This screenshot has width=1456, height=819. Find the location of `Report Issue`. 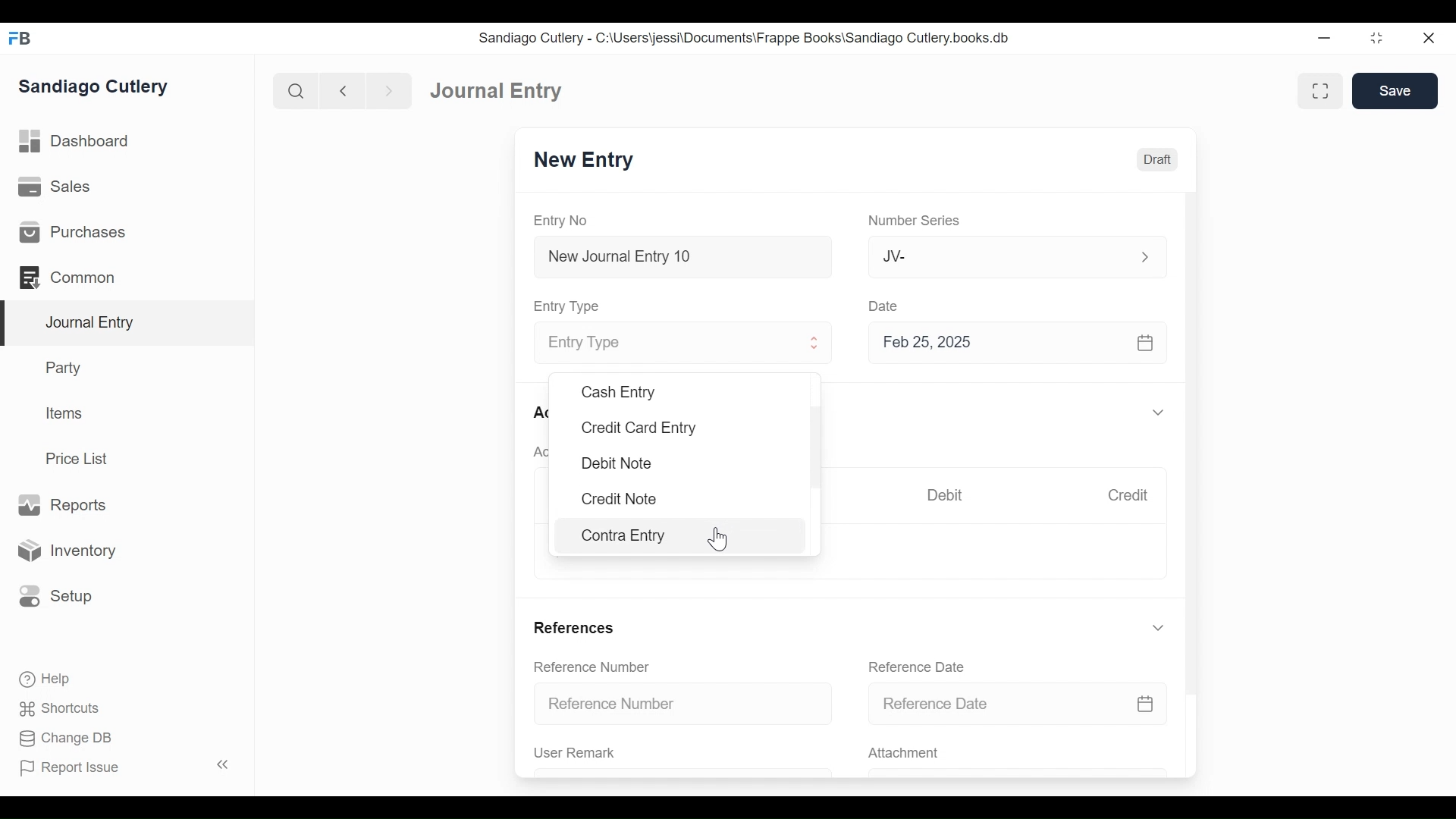

Report Issue is located at coordinates (124, 767).